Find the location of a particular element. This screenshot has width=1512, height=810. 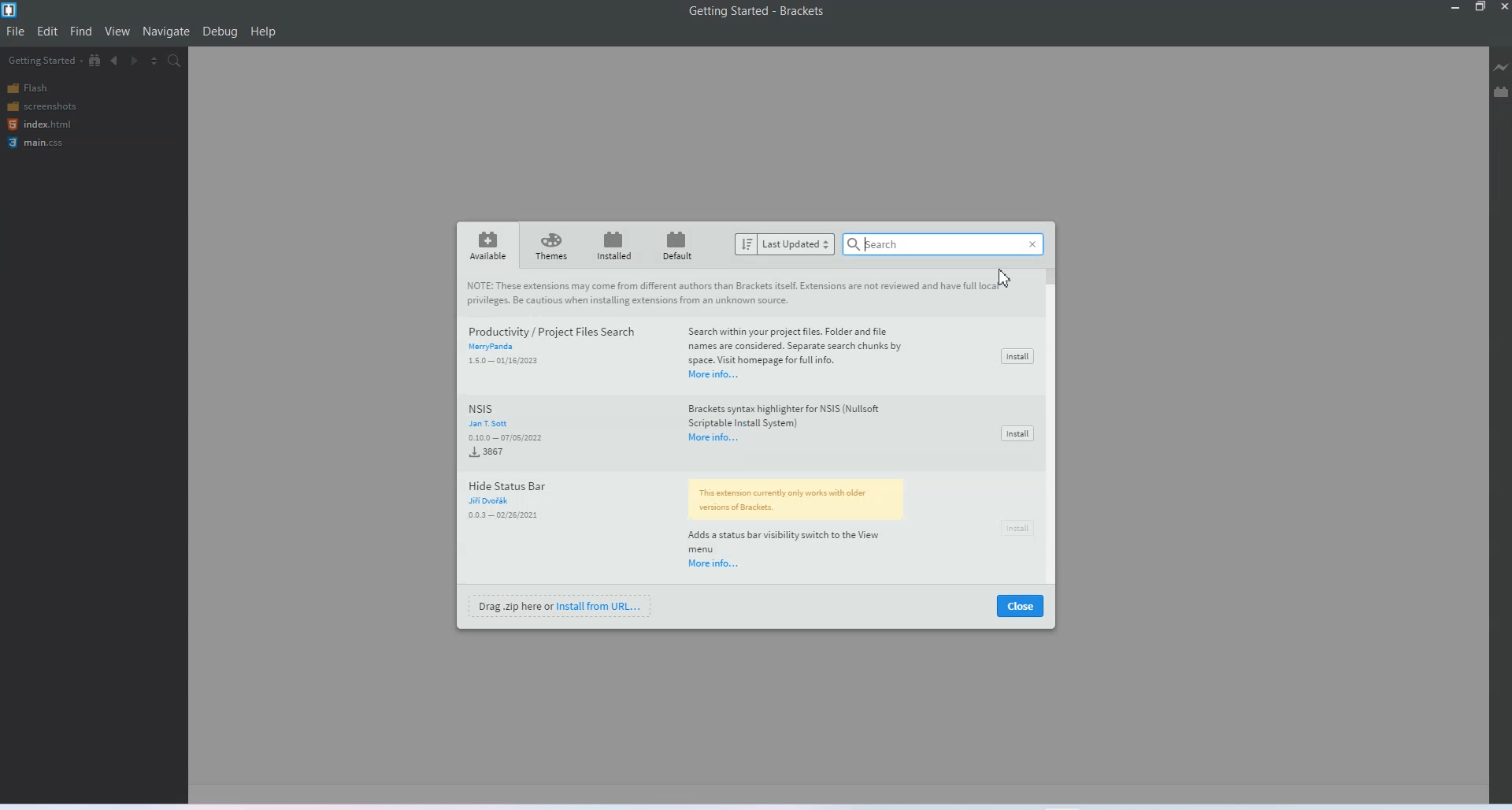

Author is located at coordinates (495, 501).